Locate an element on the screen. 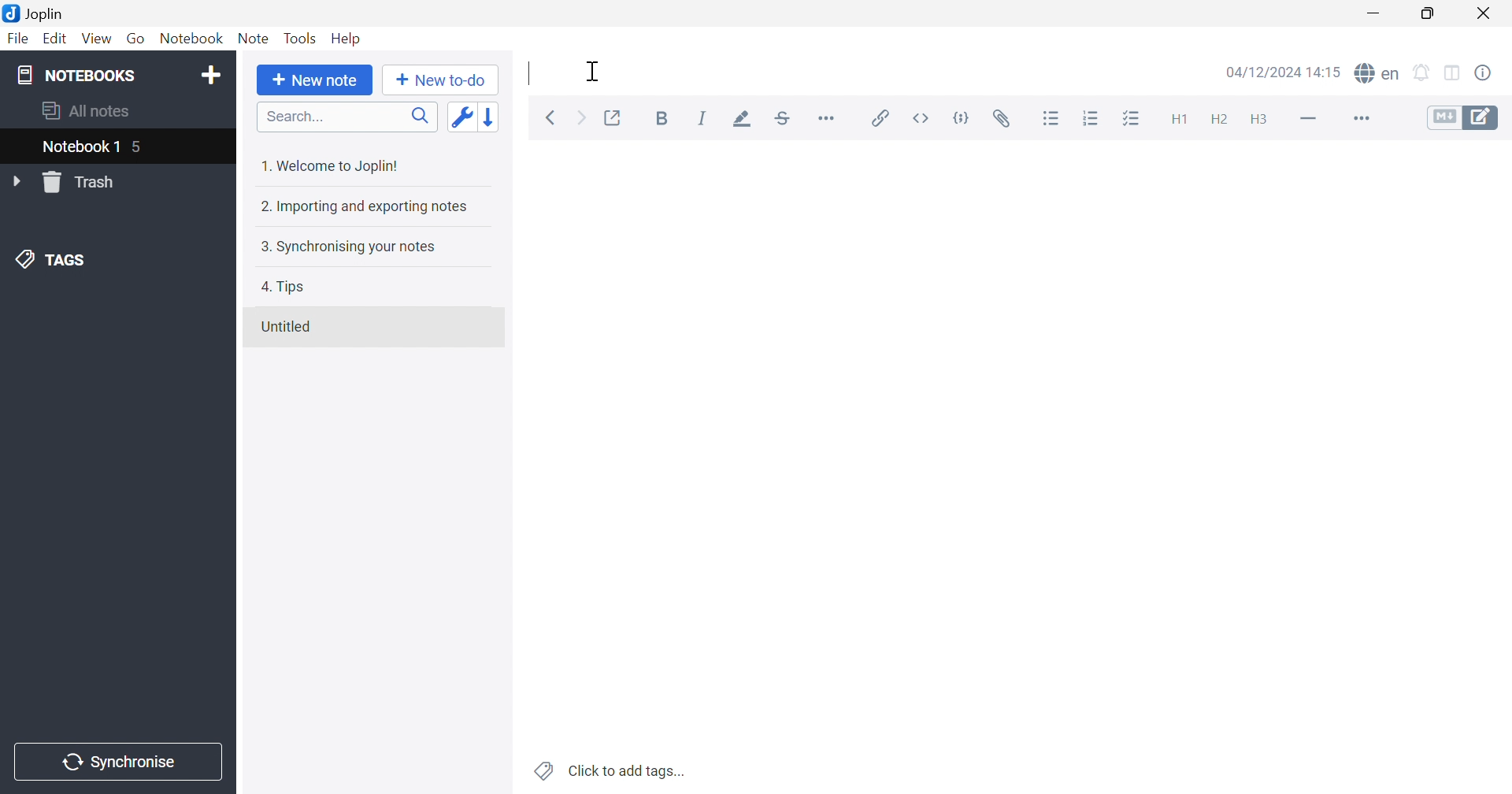 Image resolution: width=1512 pixels, height=794 pixels. Forward is located at coordinates (582, 120).